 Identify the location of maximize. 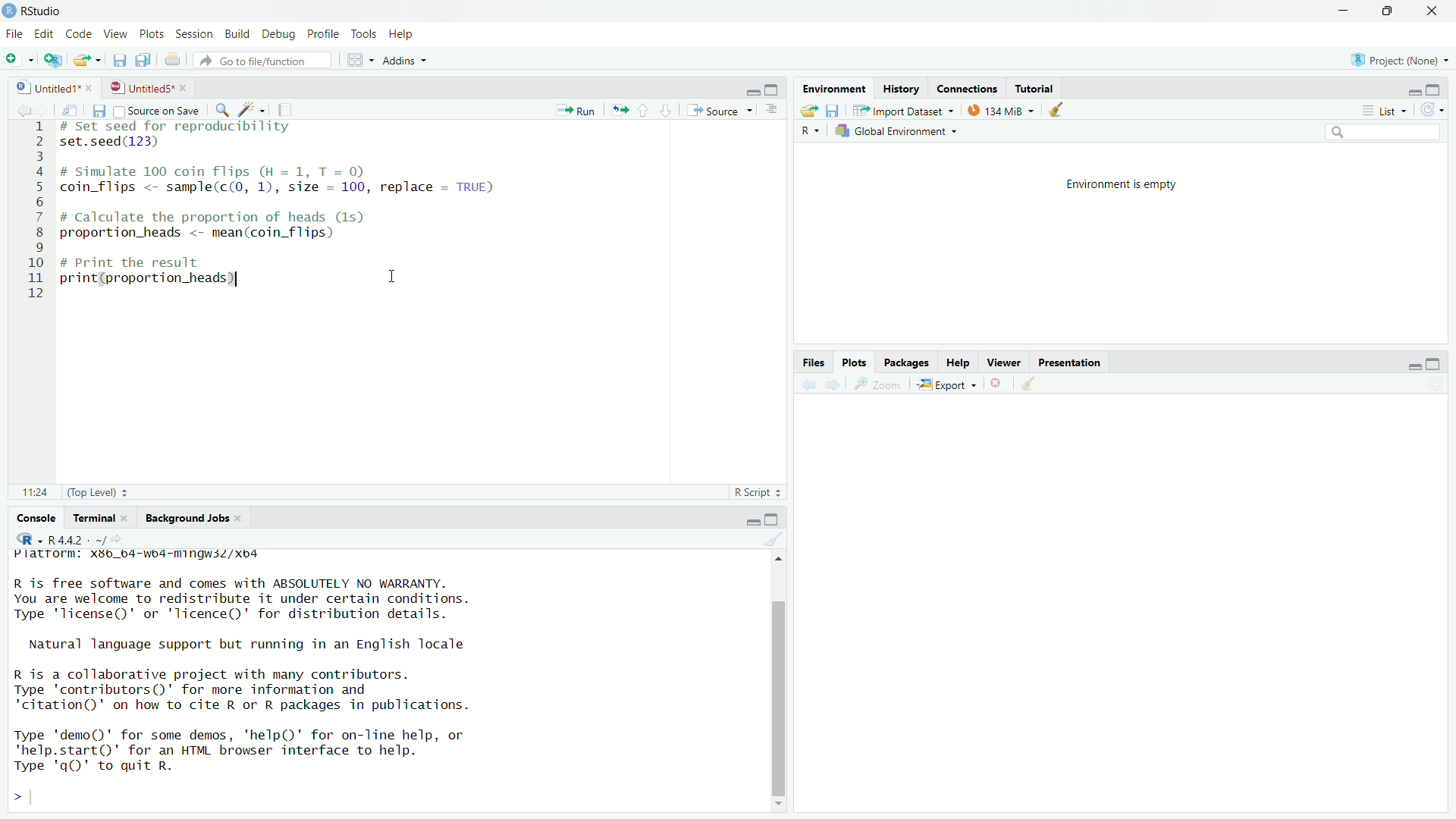
(1388, 10).